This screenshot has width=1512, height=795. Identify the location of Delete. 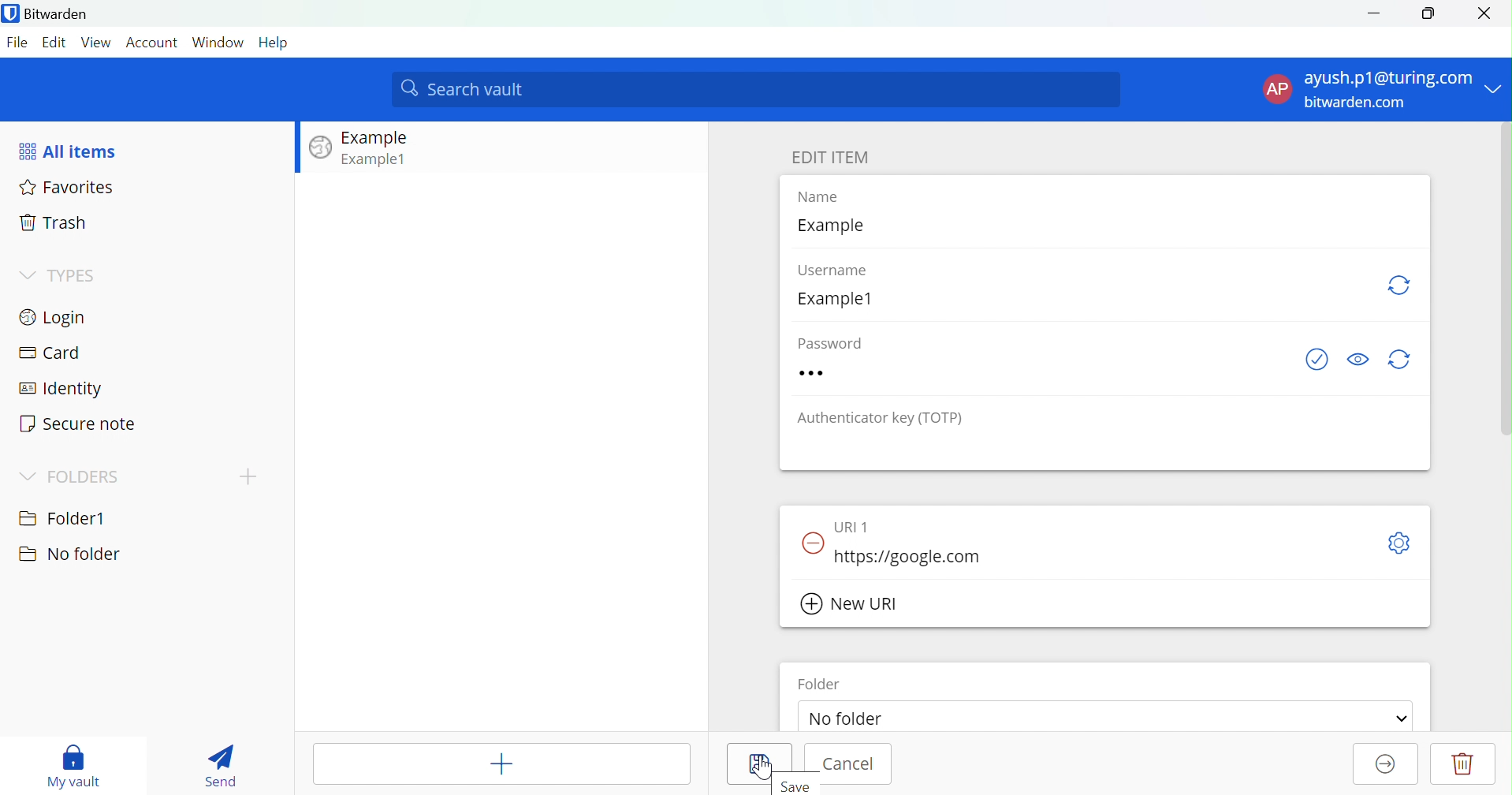
(1463, 763).